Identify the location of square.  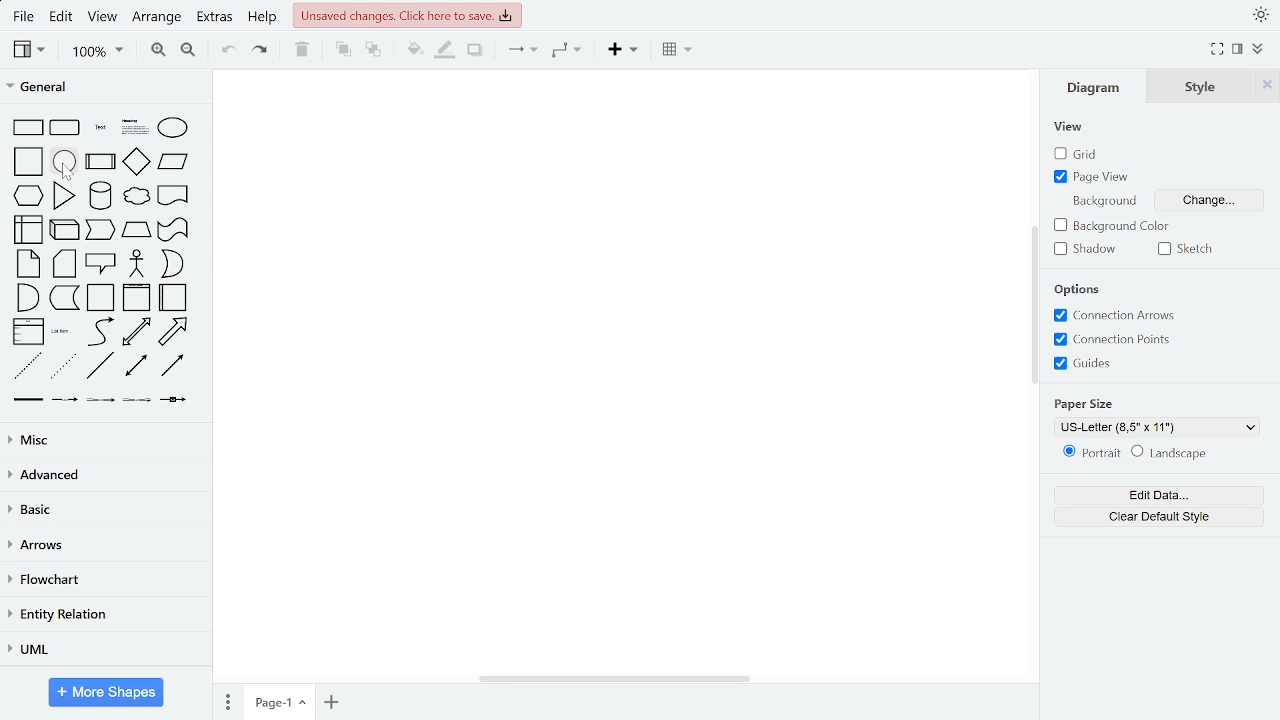
(30, 162).